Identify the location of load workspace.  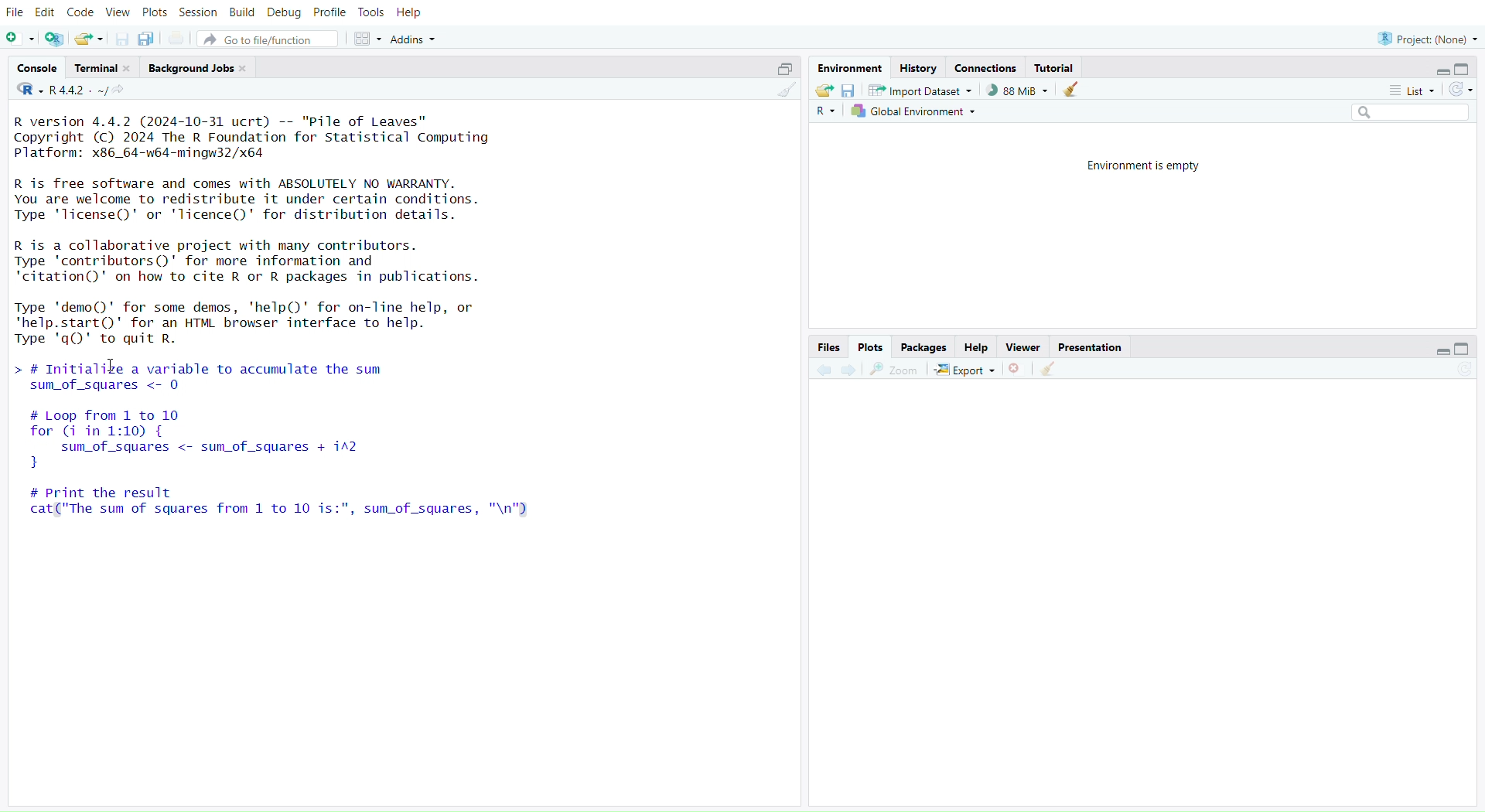
(824, 91).